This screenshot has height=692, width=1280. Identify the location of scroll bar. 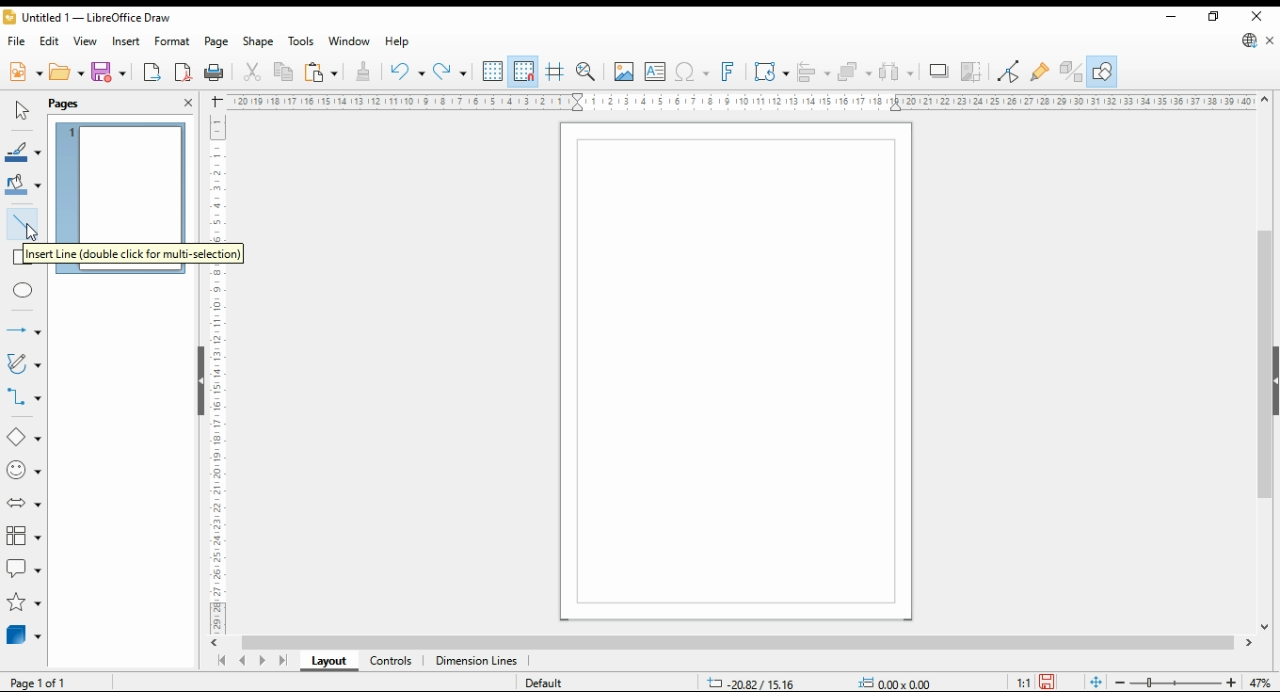
(734, 644).